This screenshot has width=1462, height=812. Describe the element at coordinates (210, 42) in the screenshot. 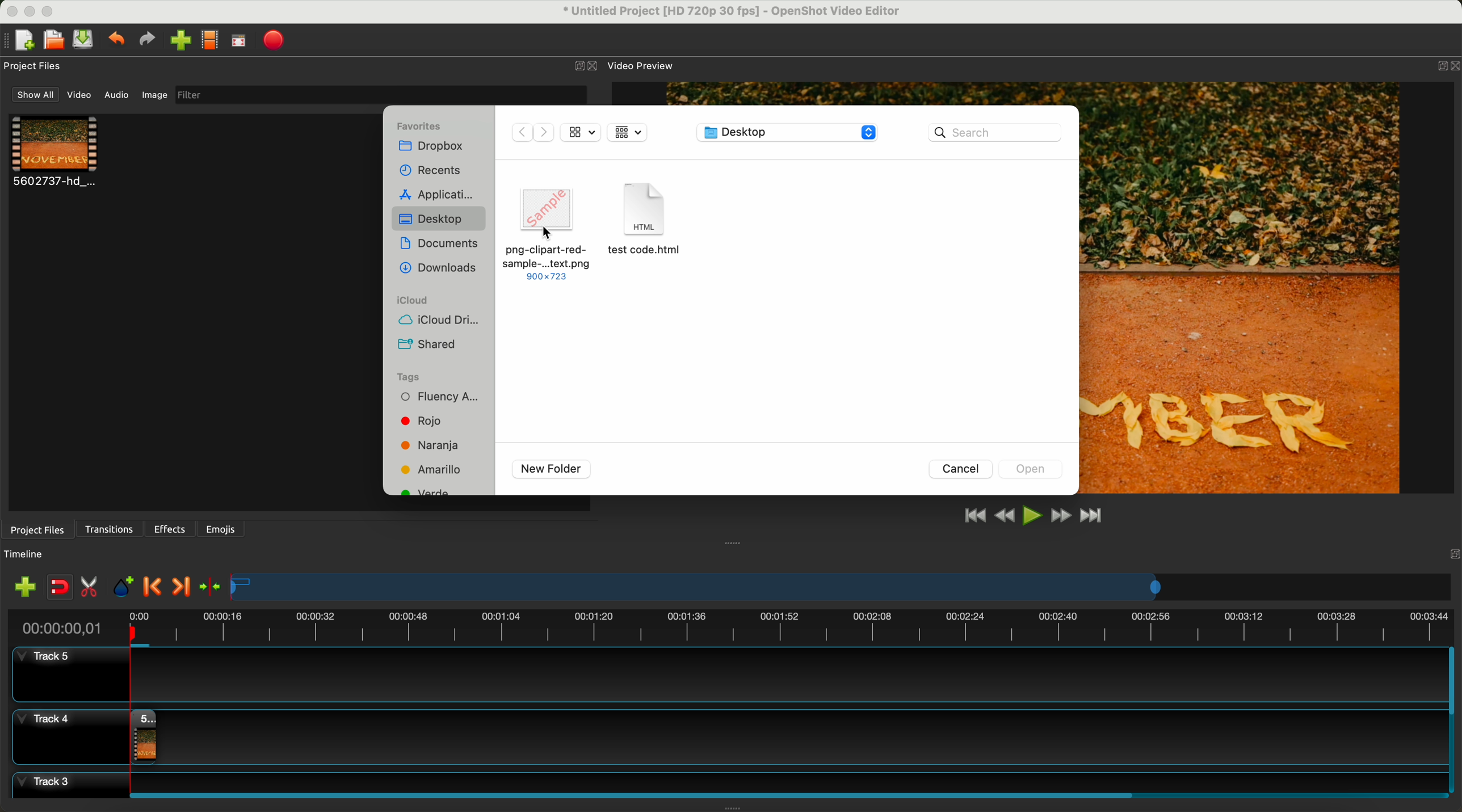

I see `choose profile` at that location.